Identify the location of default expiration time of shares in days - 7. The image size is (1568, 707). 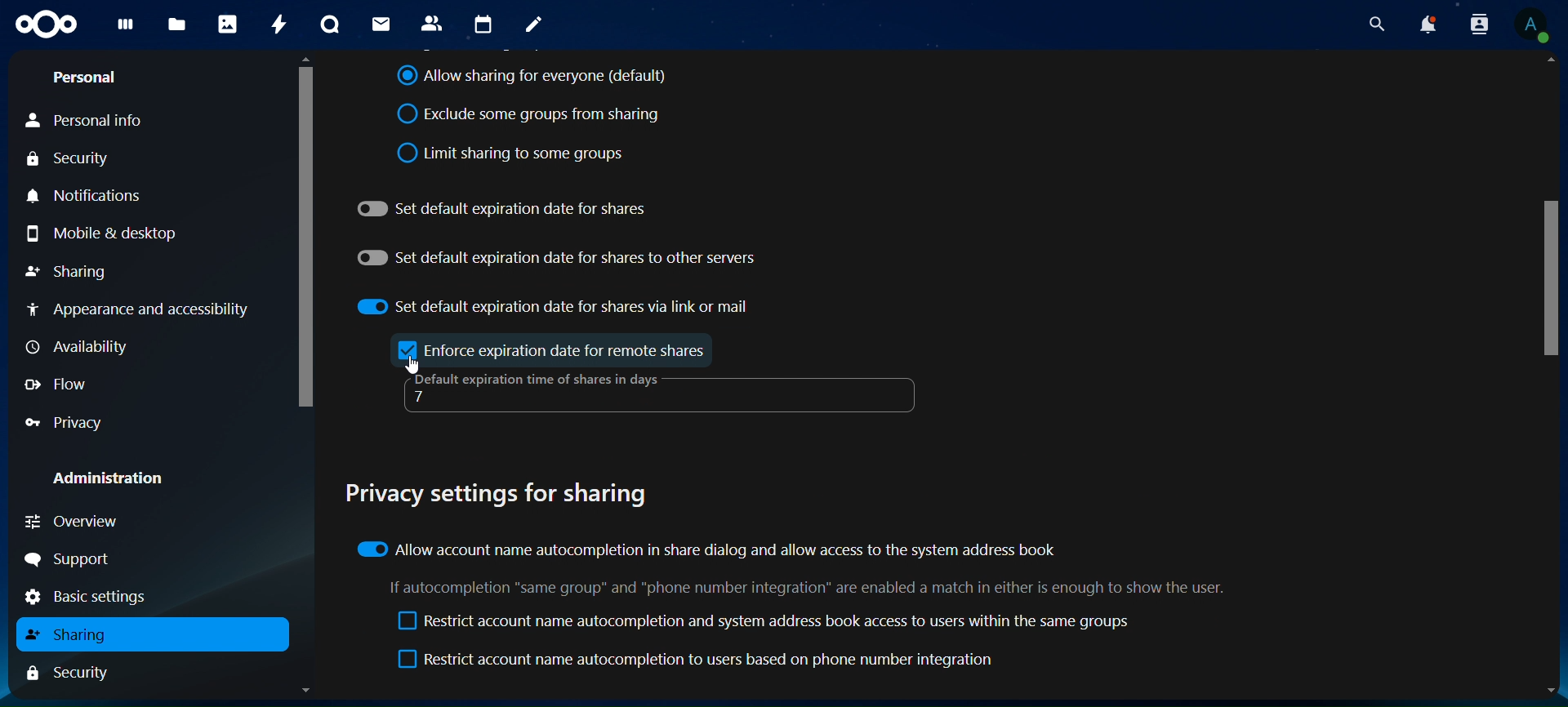
(532, 390).